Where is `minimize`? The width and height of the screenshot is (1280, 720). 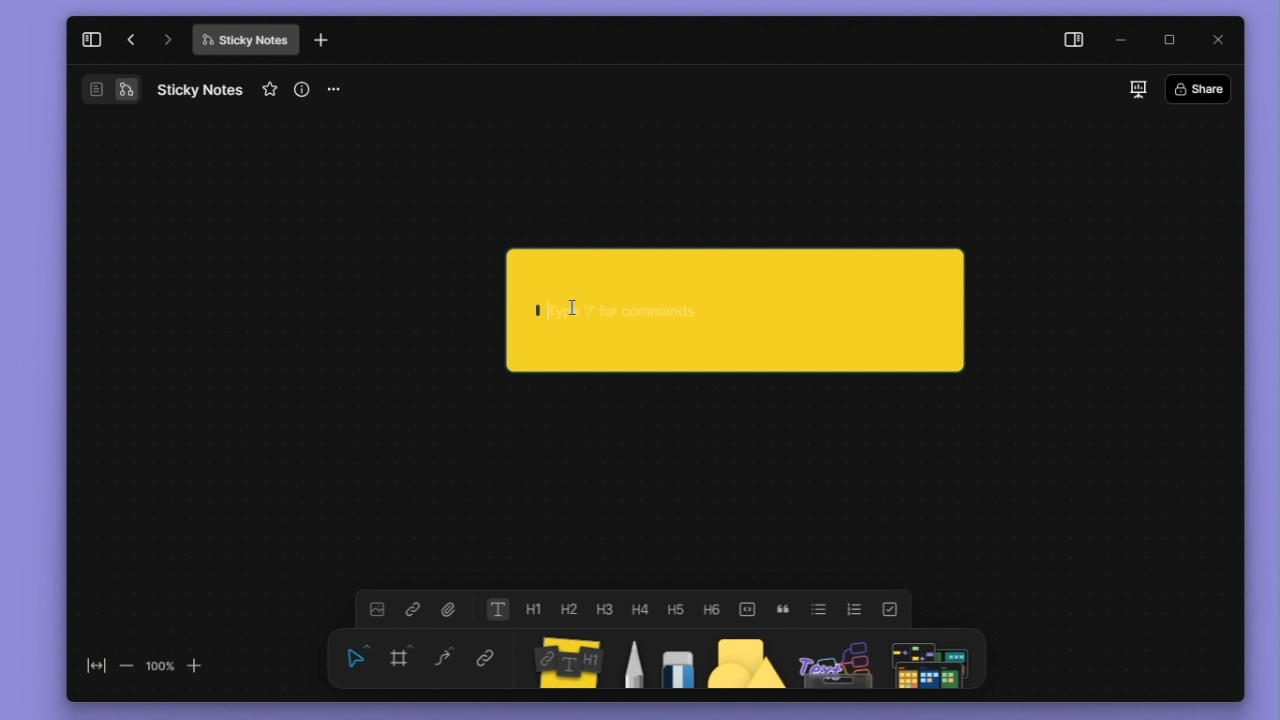
minimize is located at coordinates (1120, 41).